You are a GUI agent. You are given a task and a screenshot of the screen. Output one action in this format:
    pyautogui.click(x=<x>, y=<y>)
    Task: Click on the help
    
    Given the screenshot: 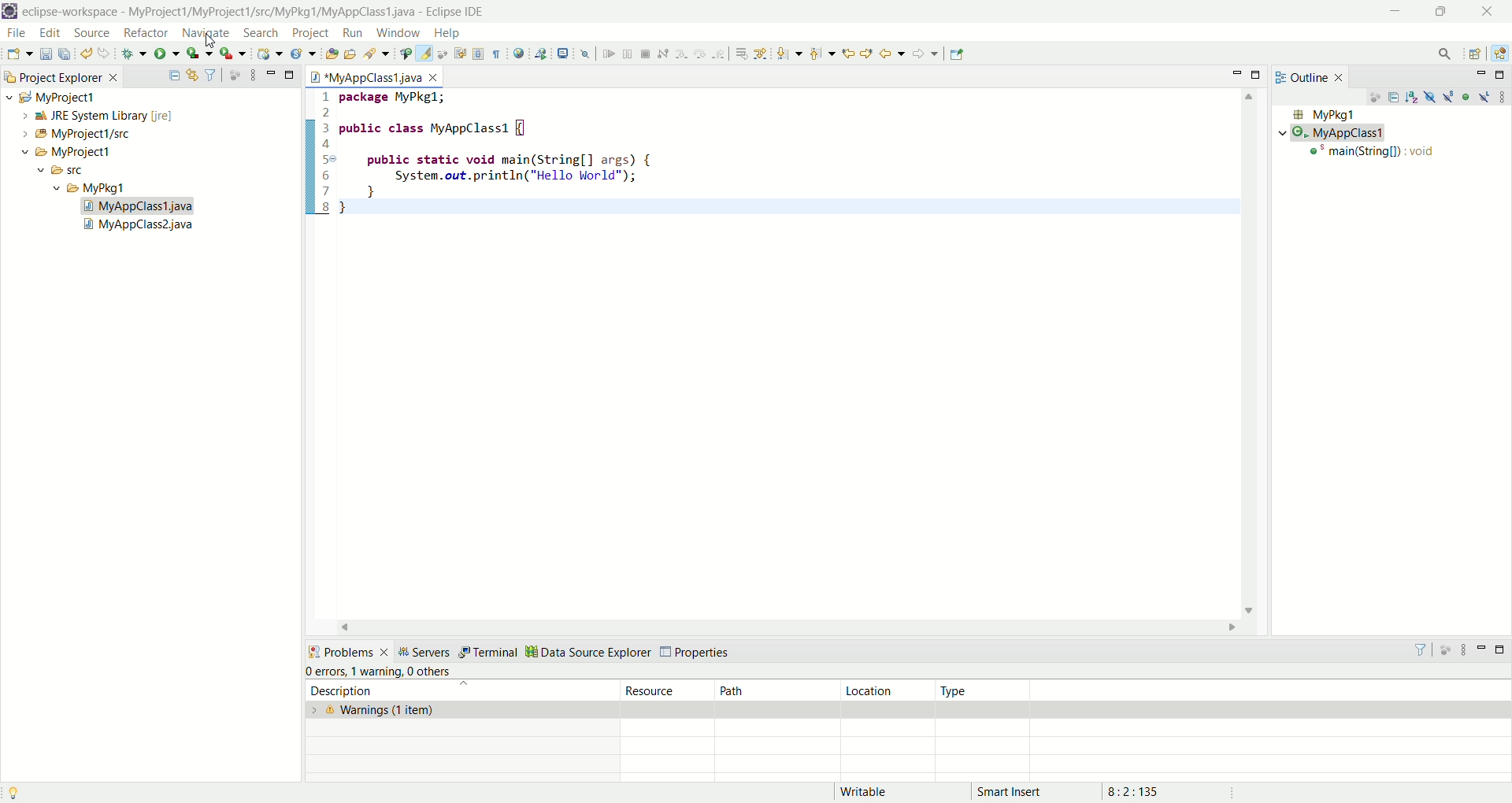 What is the action you would take?
    pyautogui.click(x=446, y=34)
    